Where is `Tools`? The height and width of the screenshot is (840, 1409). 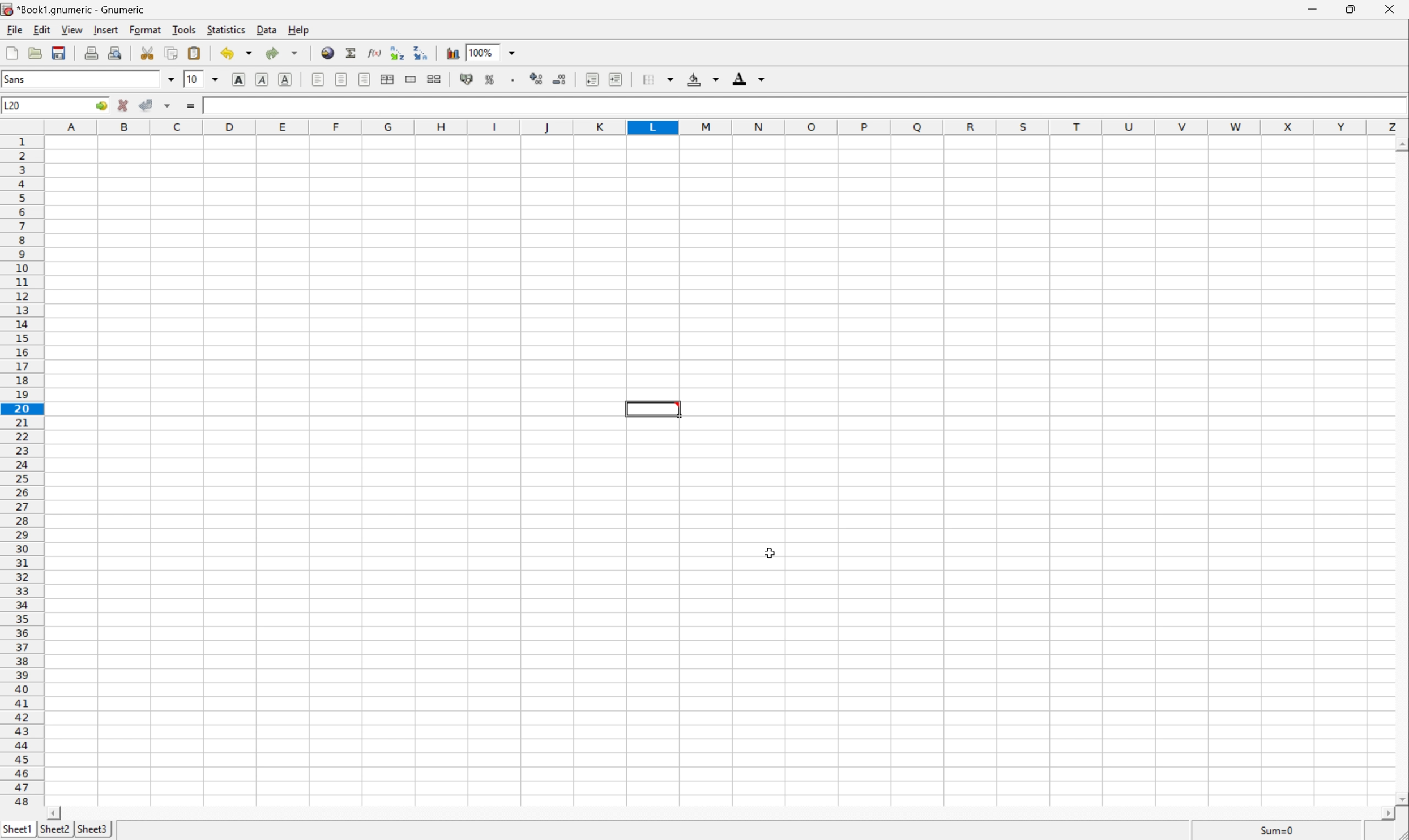 Tools is located at coordinates (183, 28).